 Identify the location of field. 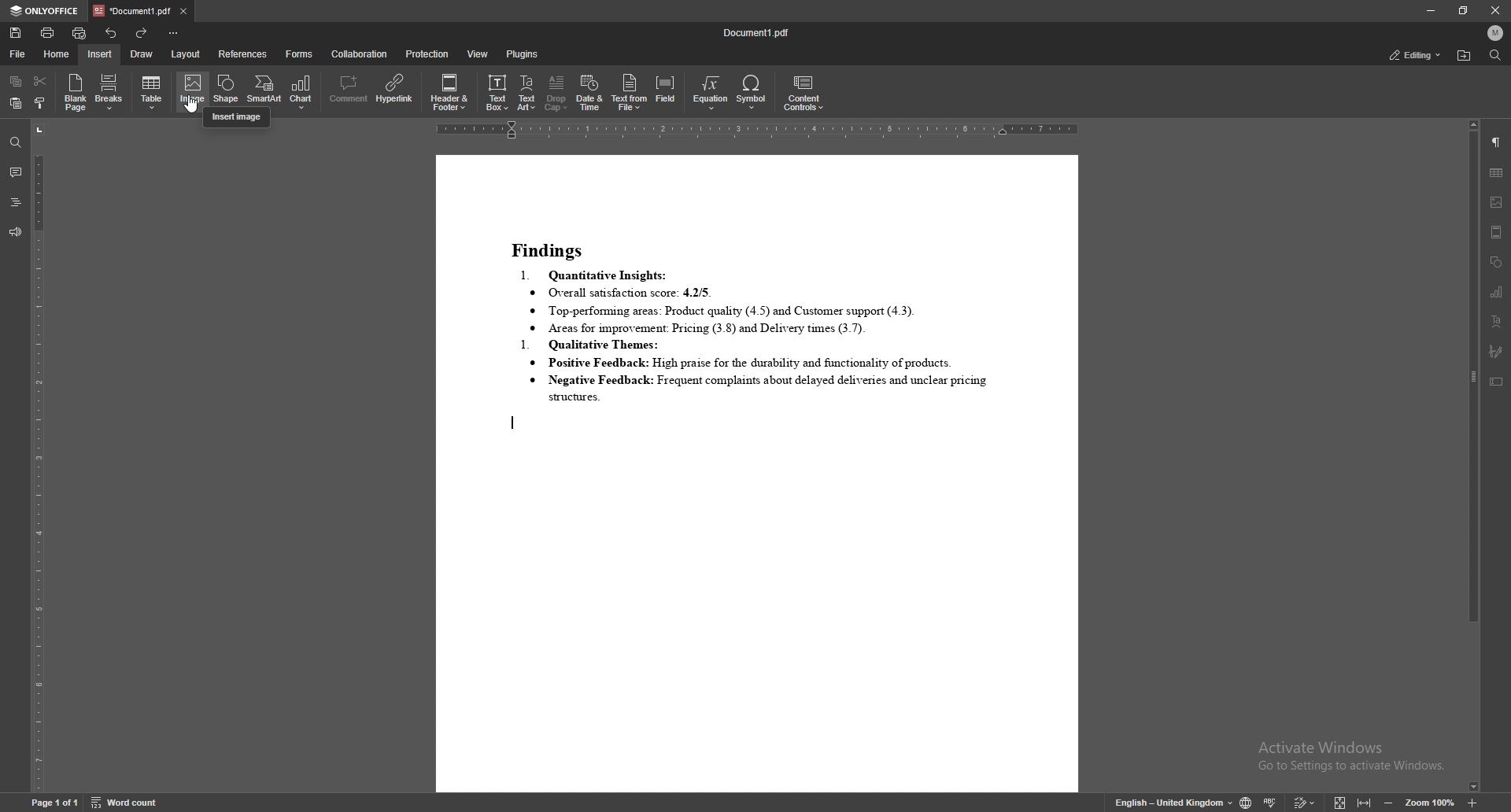
(667, 92).